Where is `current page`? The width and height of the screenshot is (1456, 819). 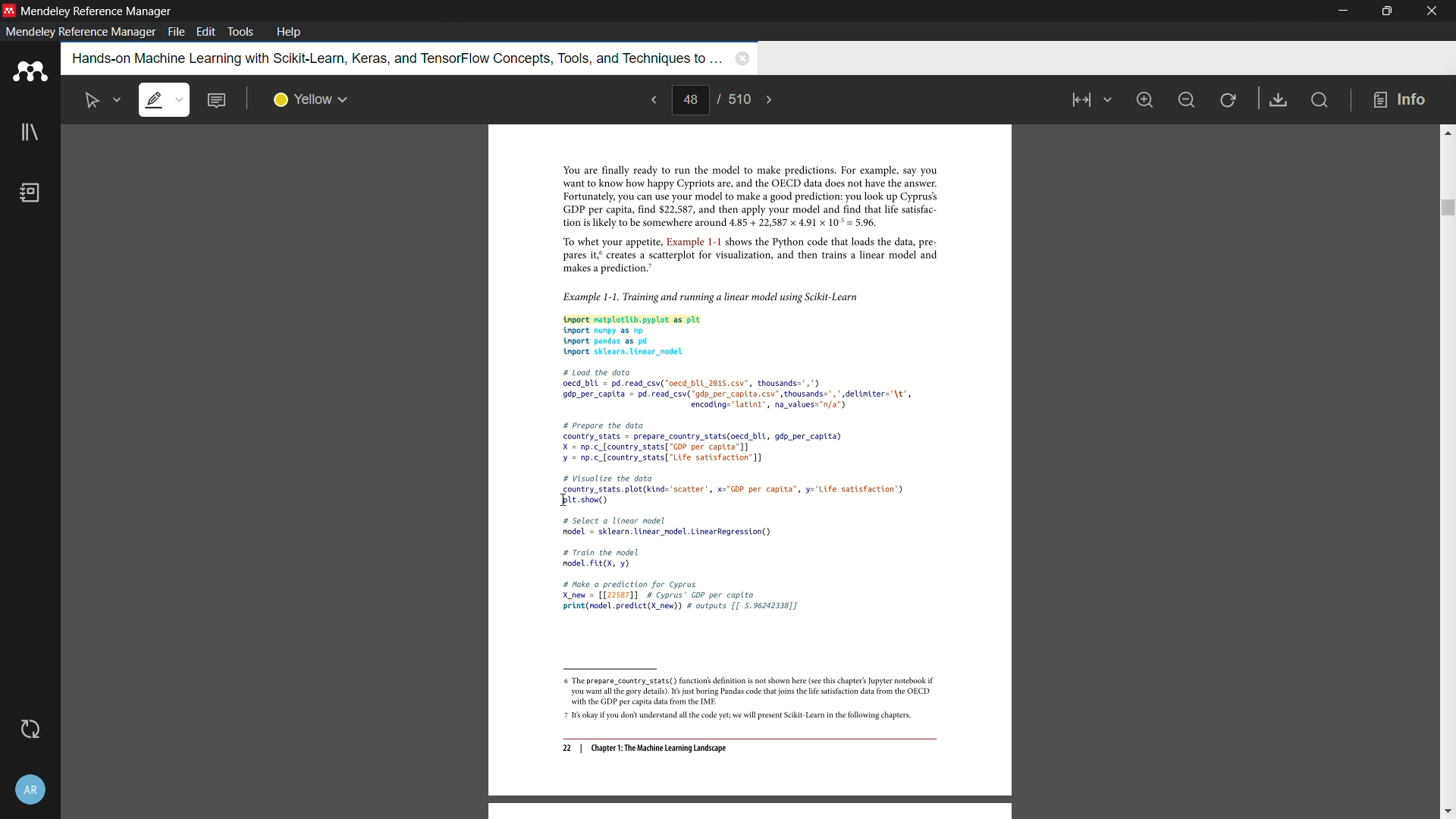
current page is located at coordinates (690, 100).